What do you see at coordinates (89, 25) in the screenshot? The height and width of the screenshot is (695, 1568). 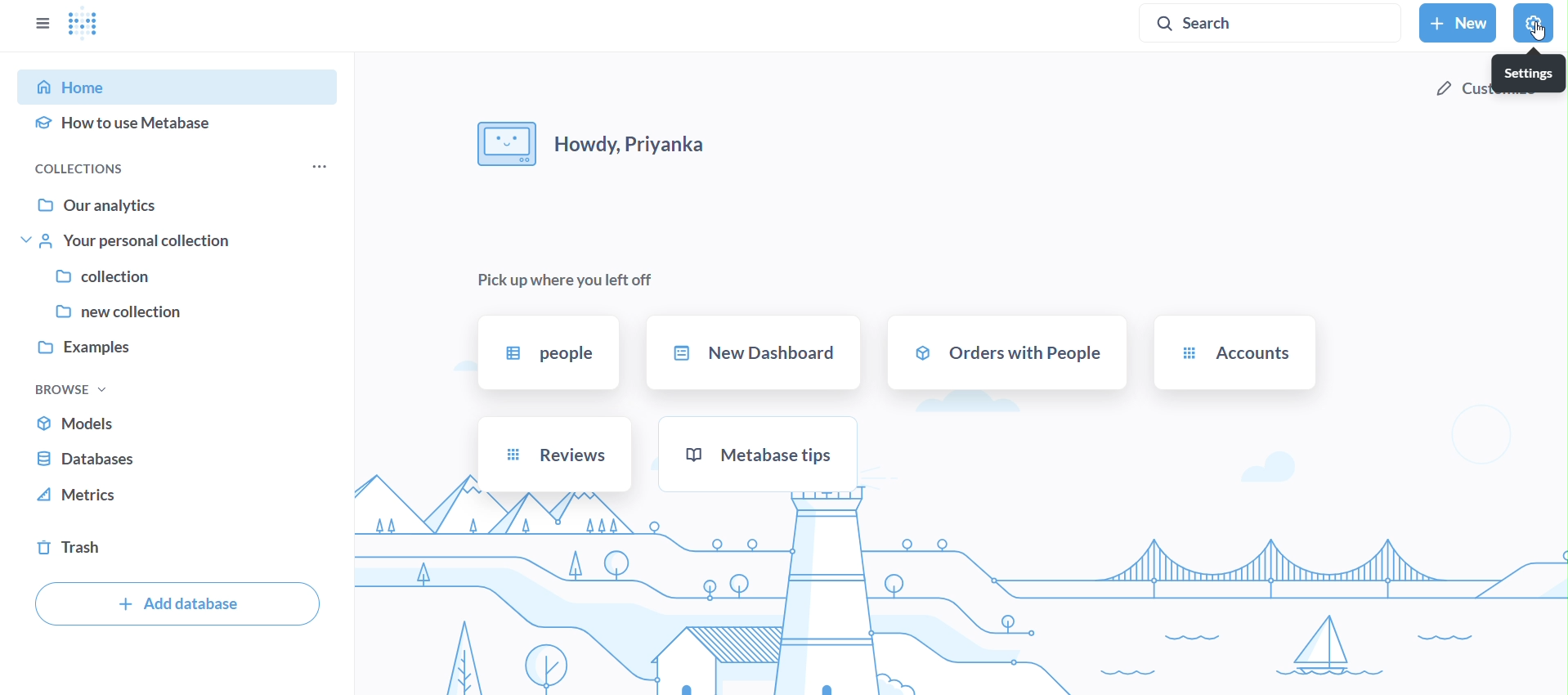 I see `logo` at bounding box center [89, 25].